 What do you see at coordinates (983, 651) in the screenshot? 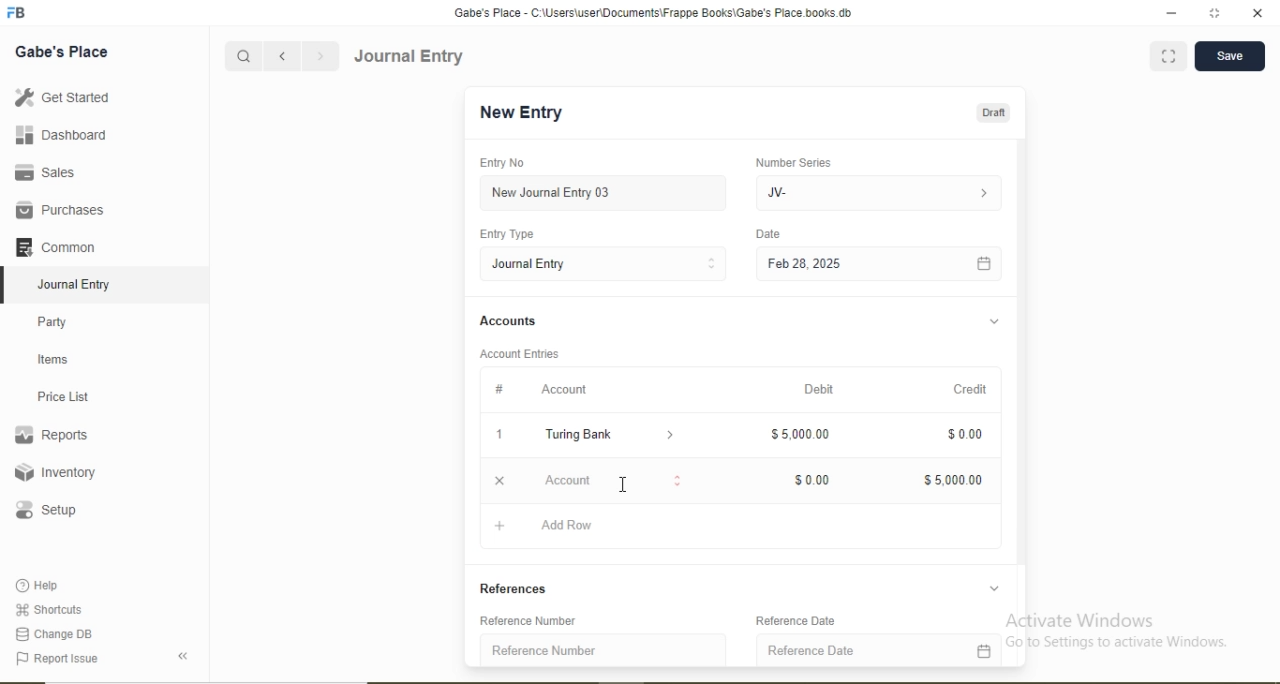
I see `Calendar` at bounding box center [983, 651].